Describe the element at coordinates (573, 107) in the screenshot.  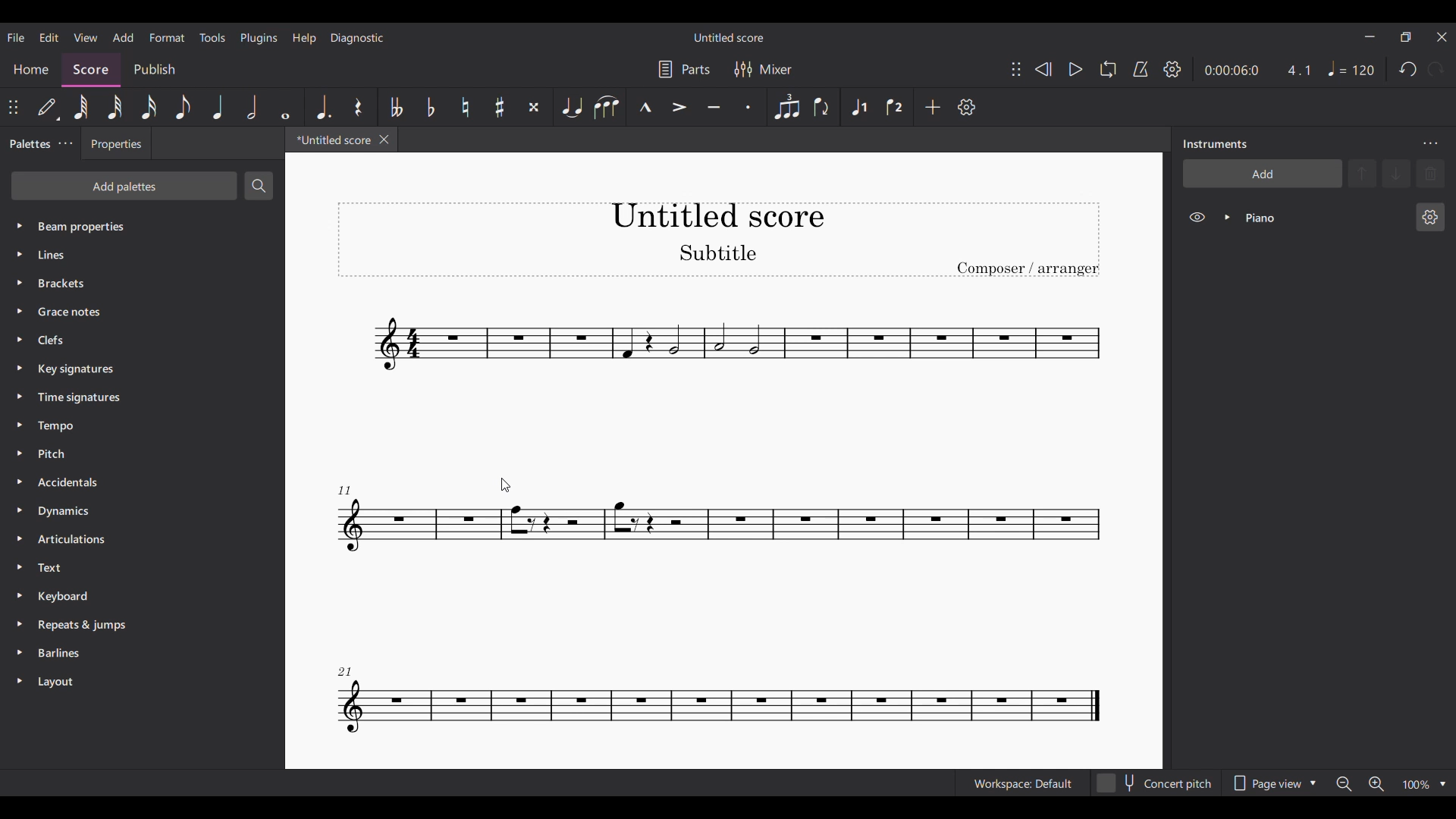
I see `Tie` at that location.